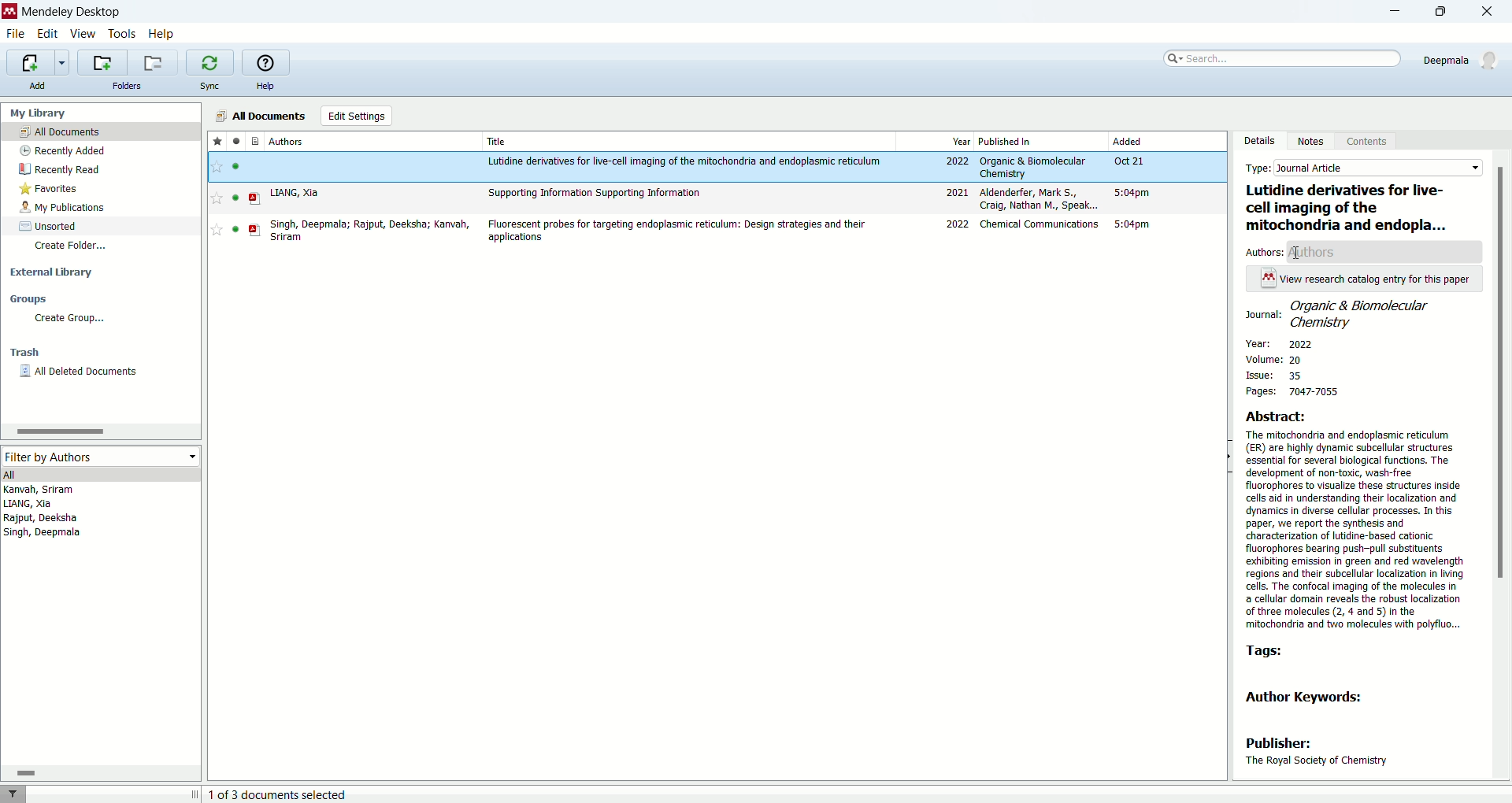 Image resolution: width=1512 pixels, height=803 pixels. What do you see at coordinates (215, 230) in the screenshot?
I see `Favourite` at bounding box center [215, 230].